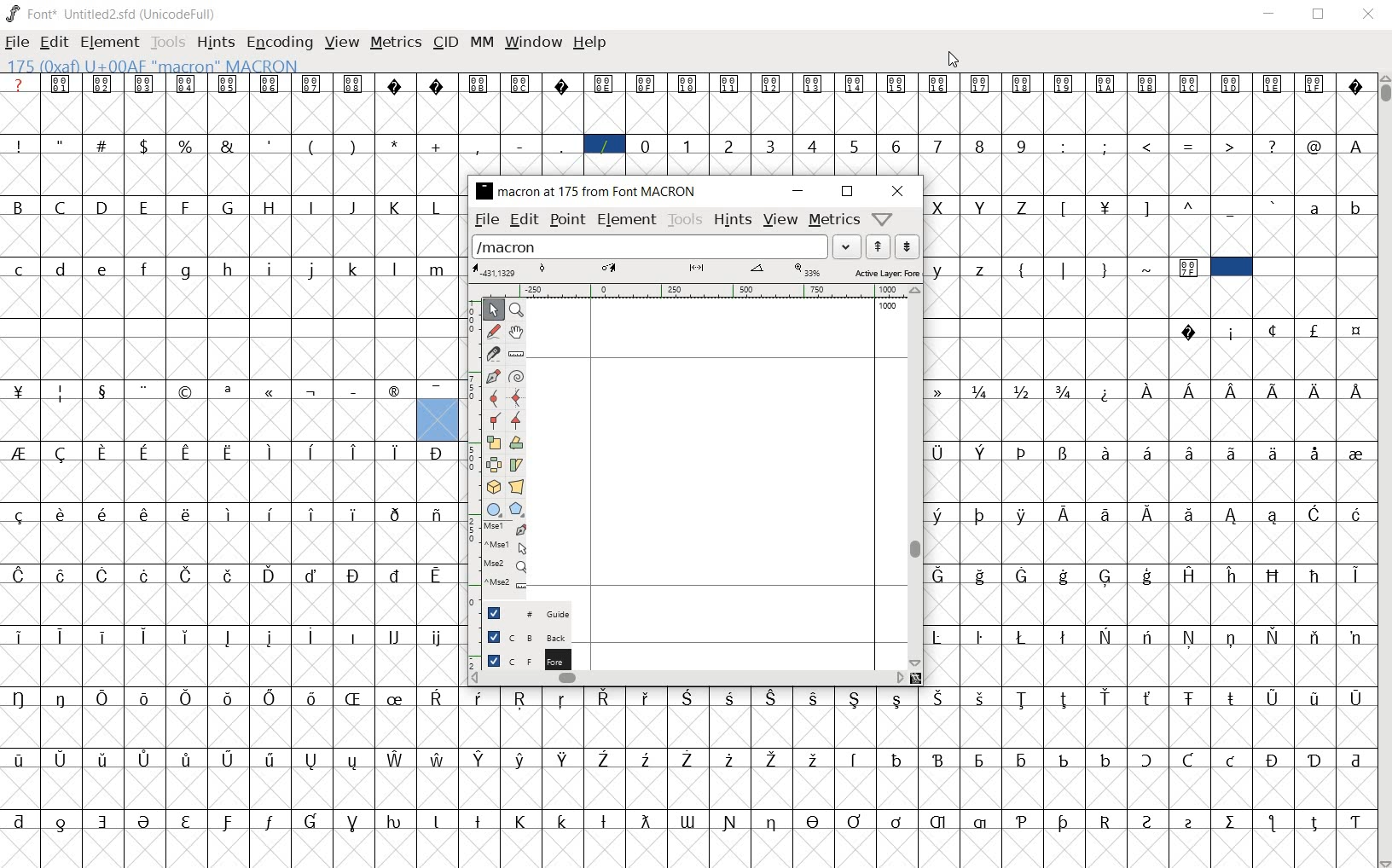 The height and width of the screenshot is (868, 1392). Describe the element at coordinates (938, 145) in the screenshot. I see `7` at that location.